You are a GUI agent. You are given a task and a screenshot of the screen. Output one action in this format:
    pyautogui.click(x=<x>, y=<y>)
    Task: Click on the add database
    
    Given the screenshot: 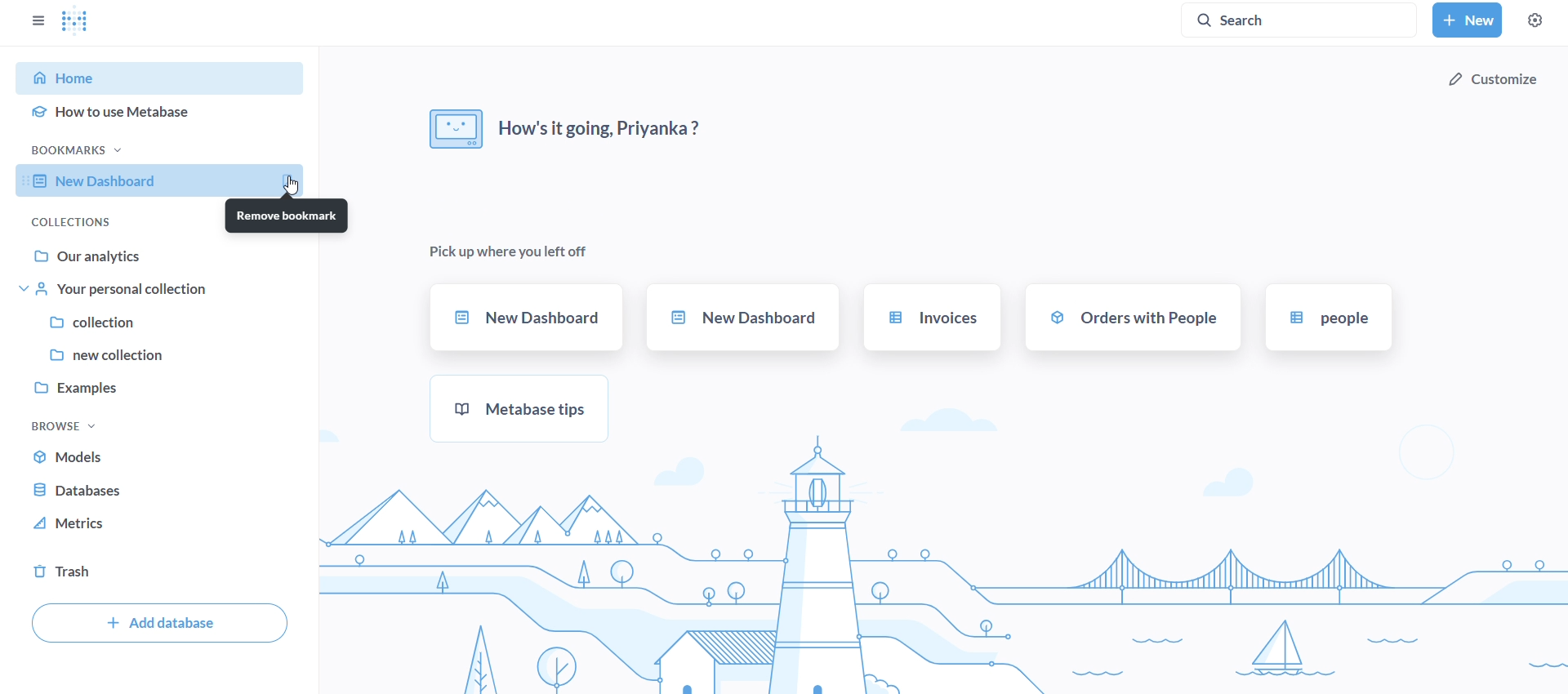 What is the action you would take?
    pyautogui.click(x=154, y=622)
    